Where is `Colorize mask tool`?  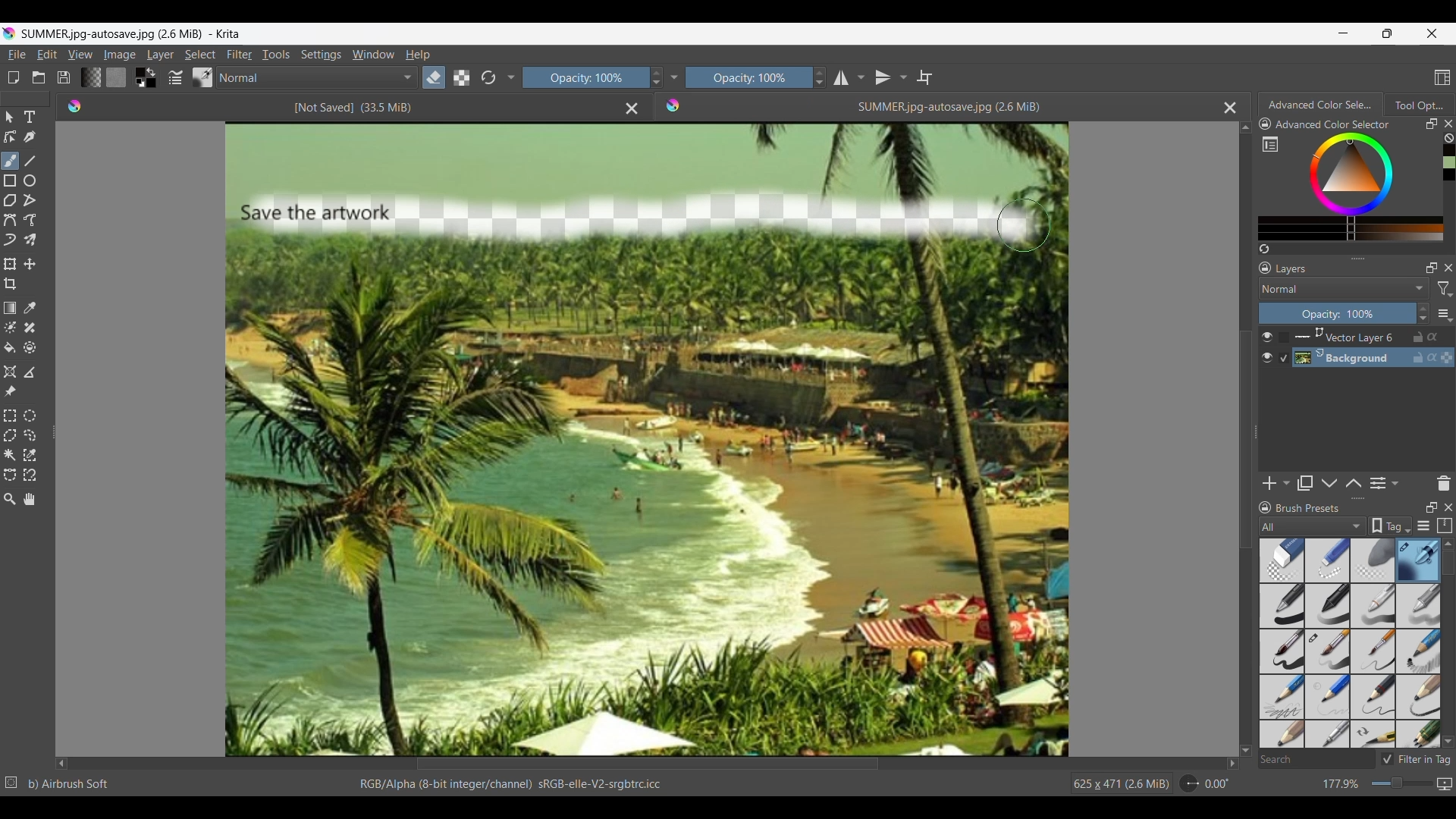
Colorize mask tool is located at coordinates (11, 327).